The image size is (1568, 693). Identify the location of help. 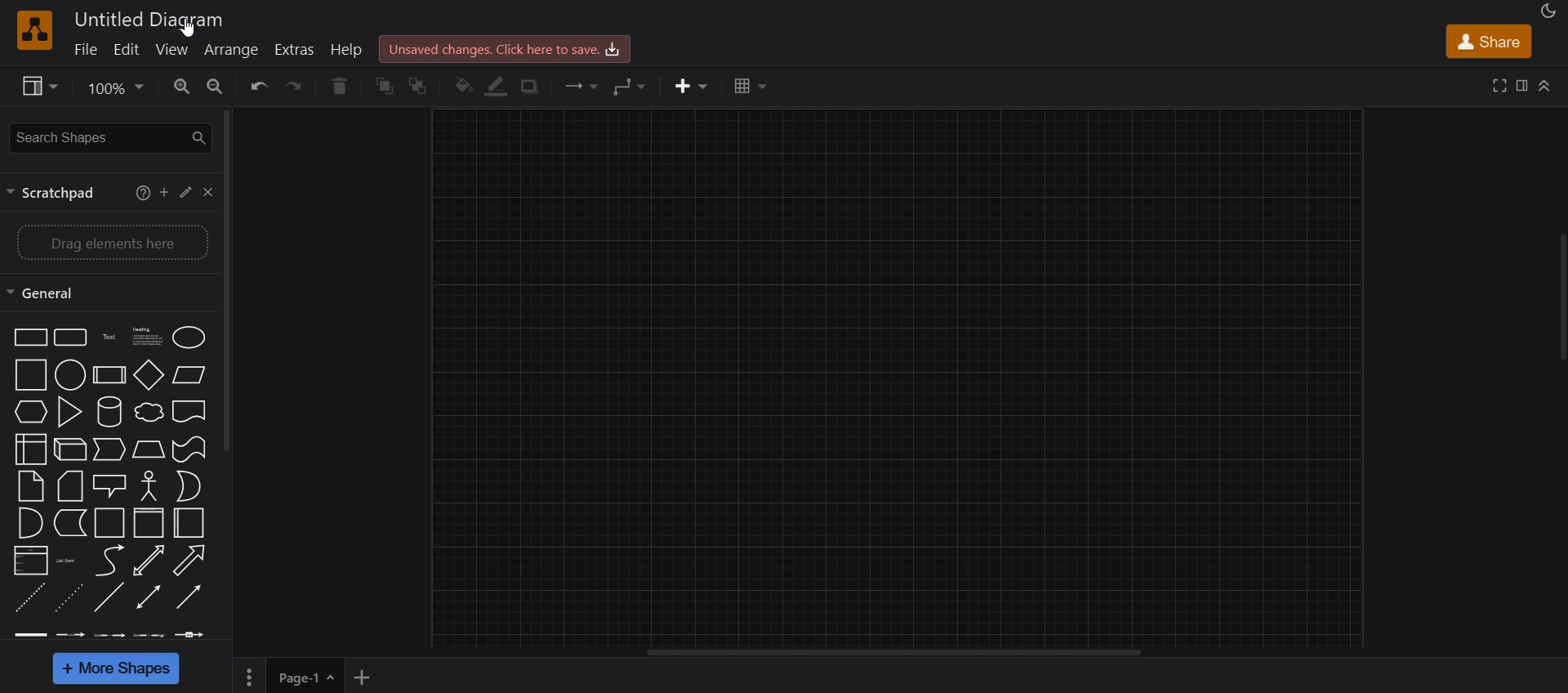
(140, 192).